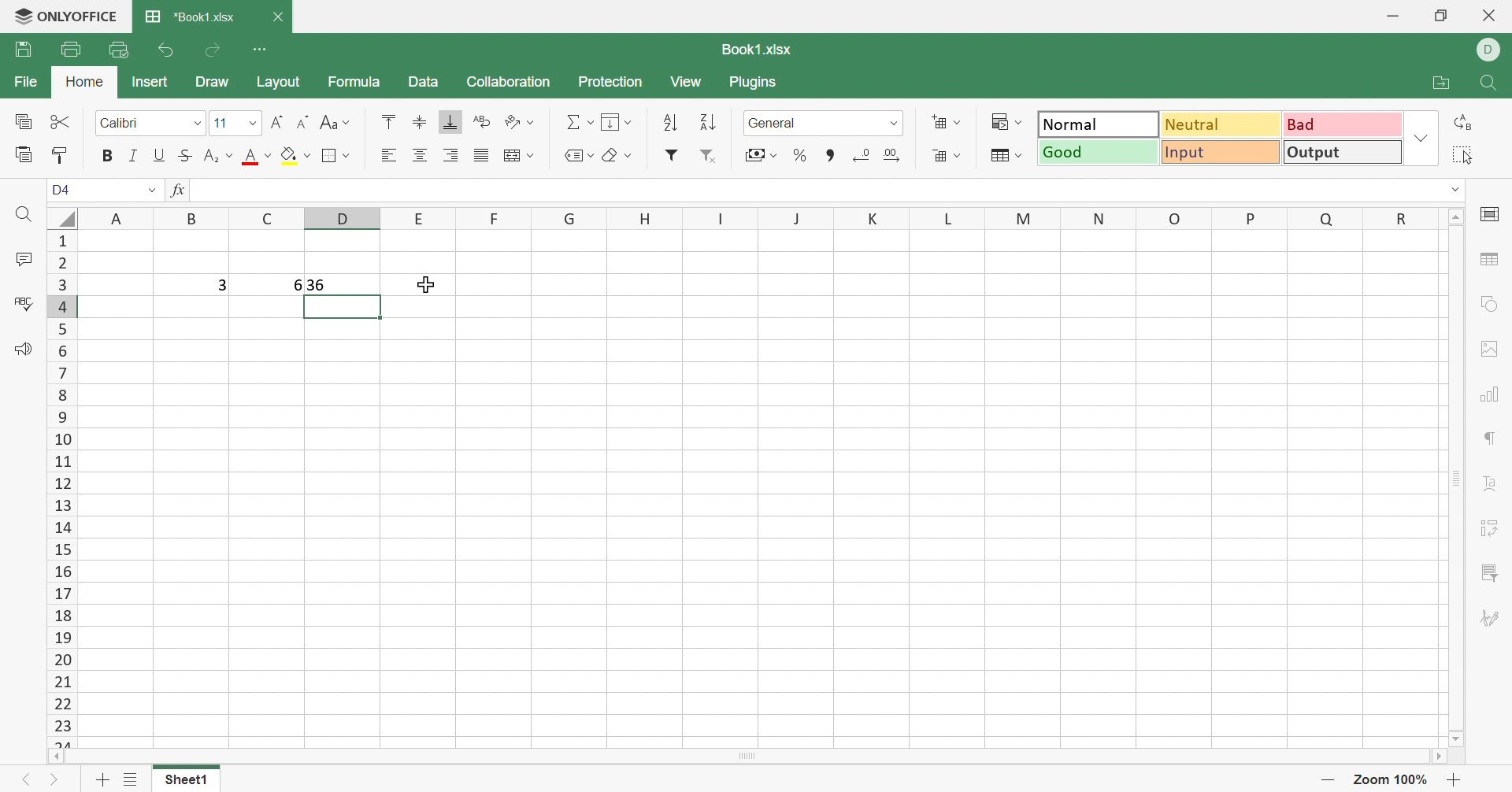 The height and width of the screenshot is (792, 1512). Describe the element at coordinates (55, 780) in the screenshot. I see `Next` at that location.